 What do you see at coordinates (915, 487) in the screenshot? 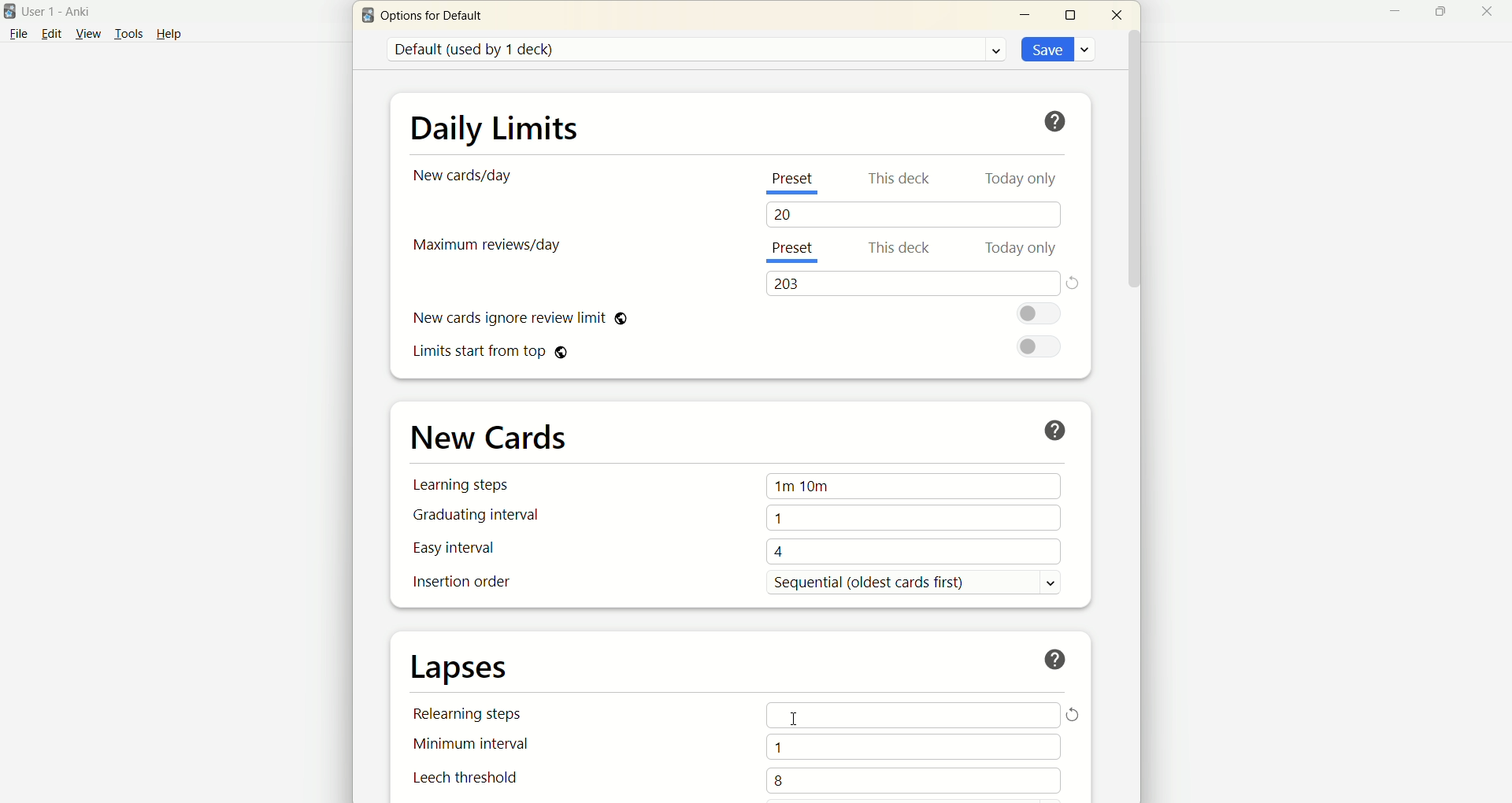
I see `1m 10m` at bounding box center [915, 487].